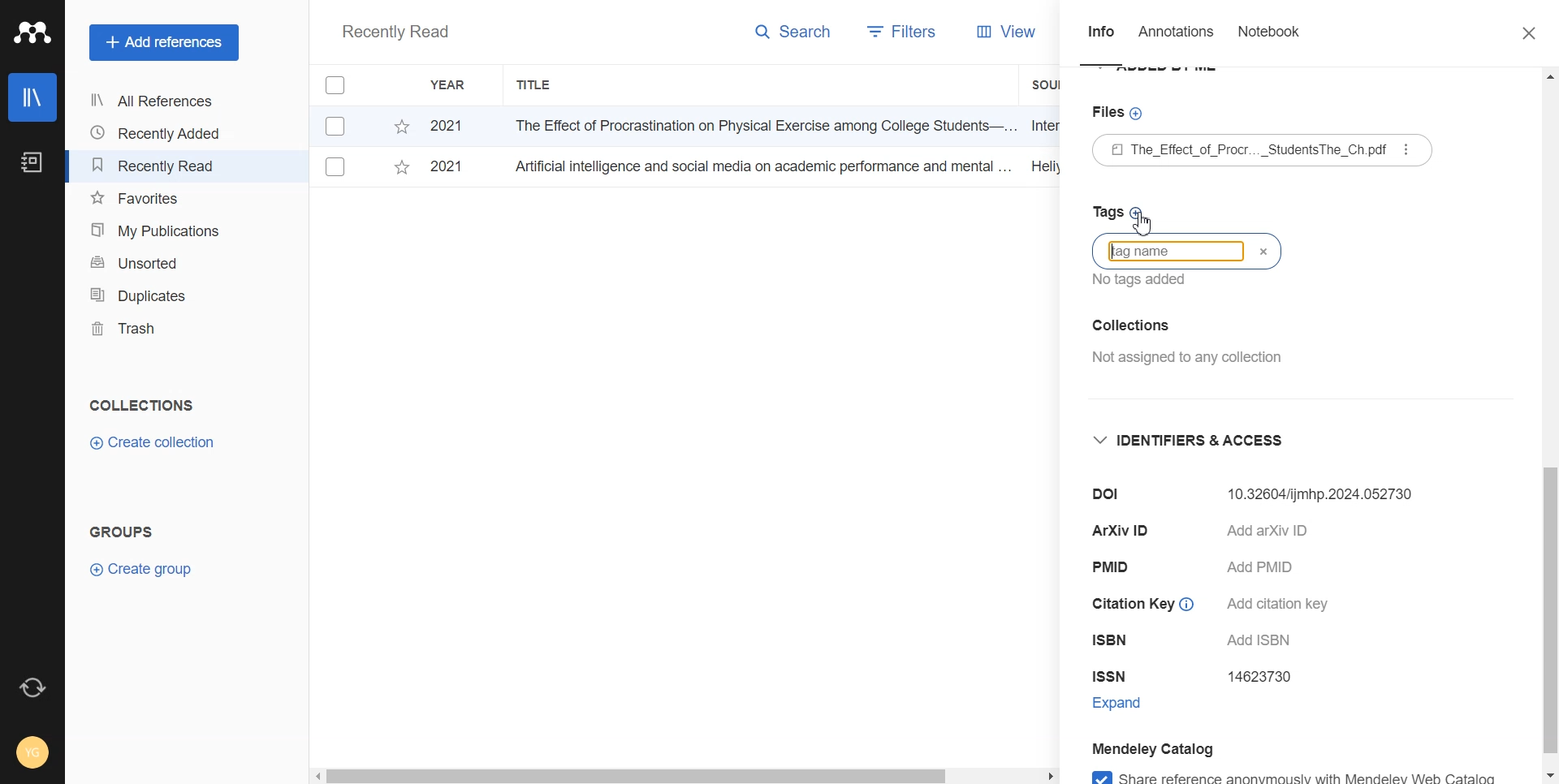 The width and height of the screenshot is (1559, 784). I want to click on Logo, so click(32, 32).